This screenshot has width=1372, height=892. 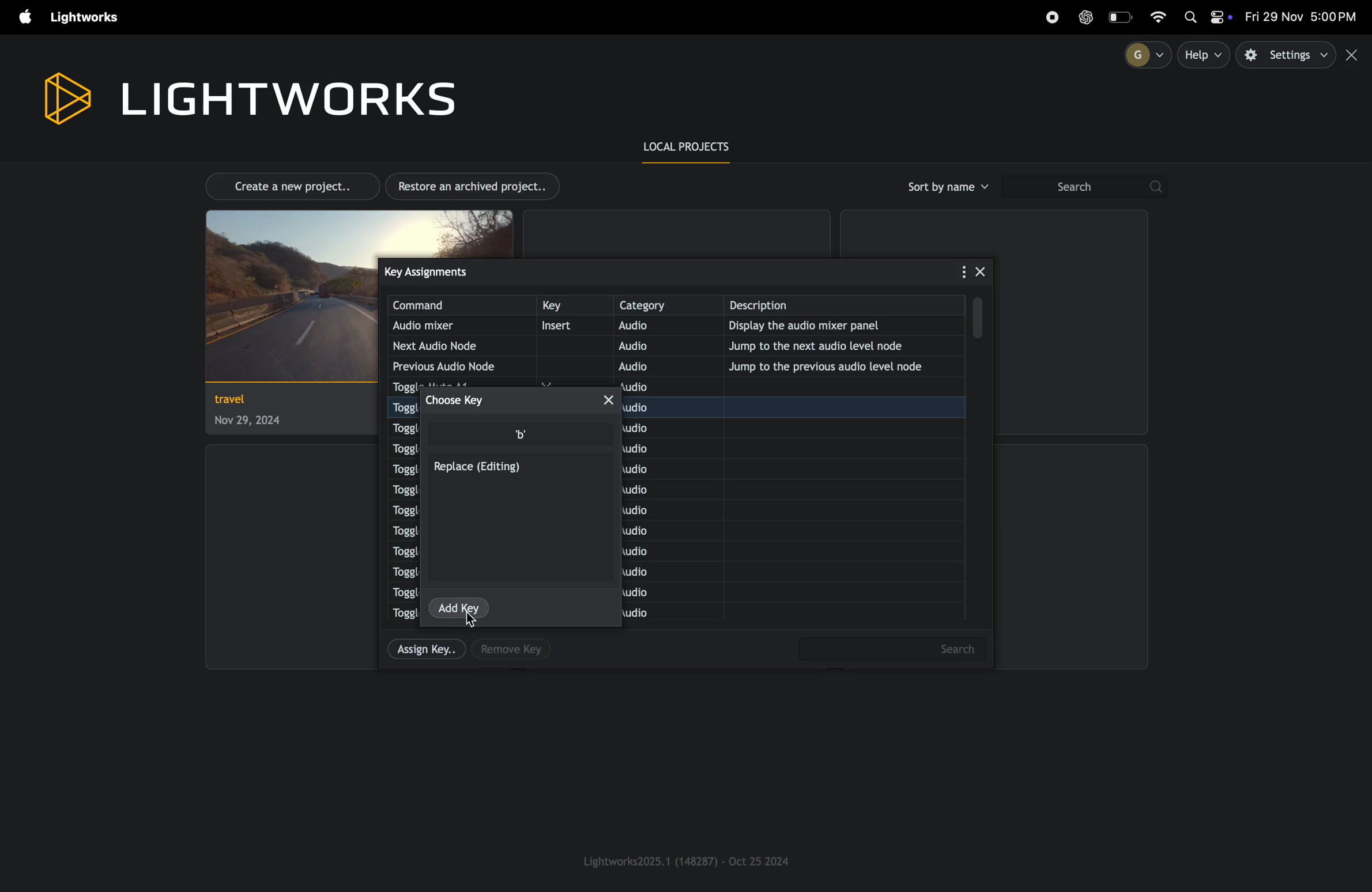 I want to click on settings, so click(x=1287, y=55).